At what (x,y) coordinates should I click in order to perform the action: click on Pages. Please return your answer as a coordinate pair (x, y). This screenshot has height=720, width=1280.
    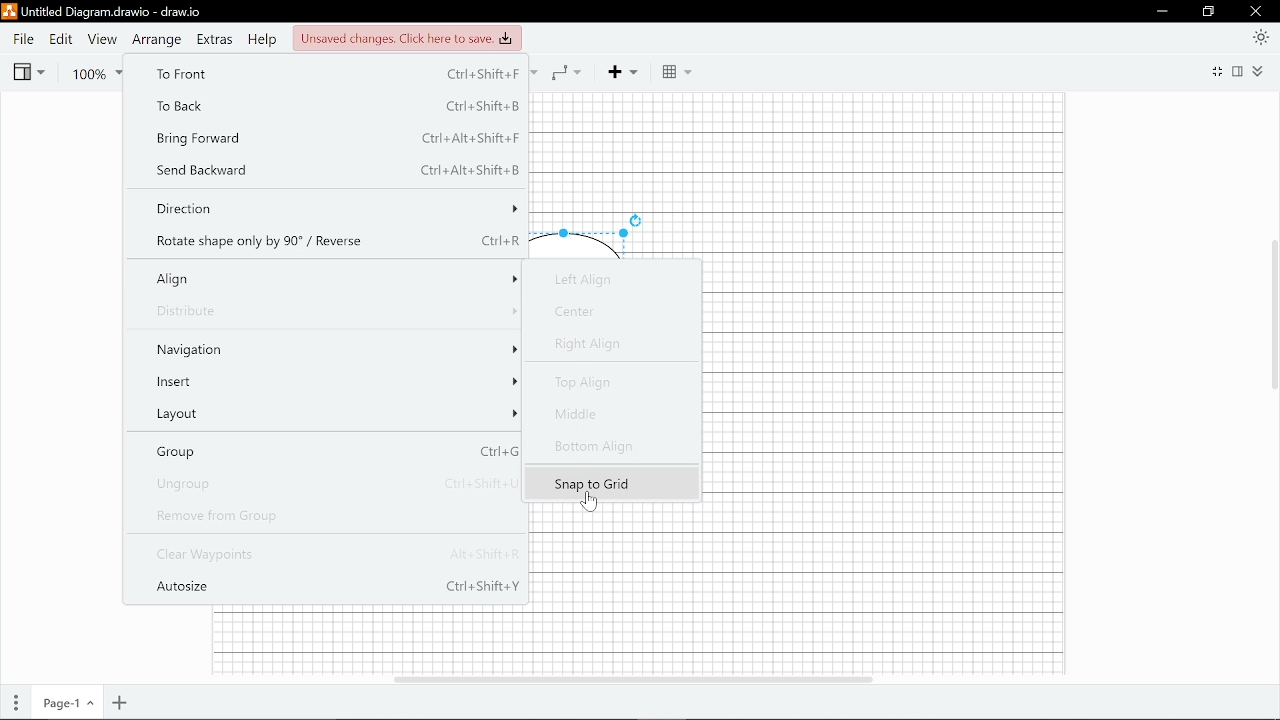
    Looking at the image, I should click on (17, 703).